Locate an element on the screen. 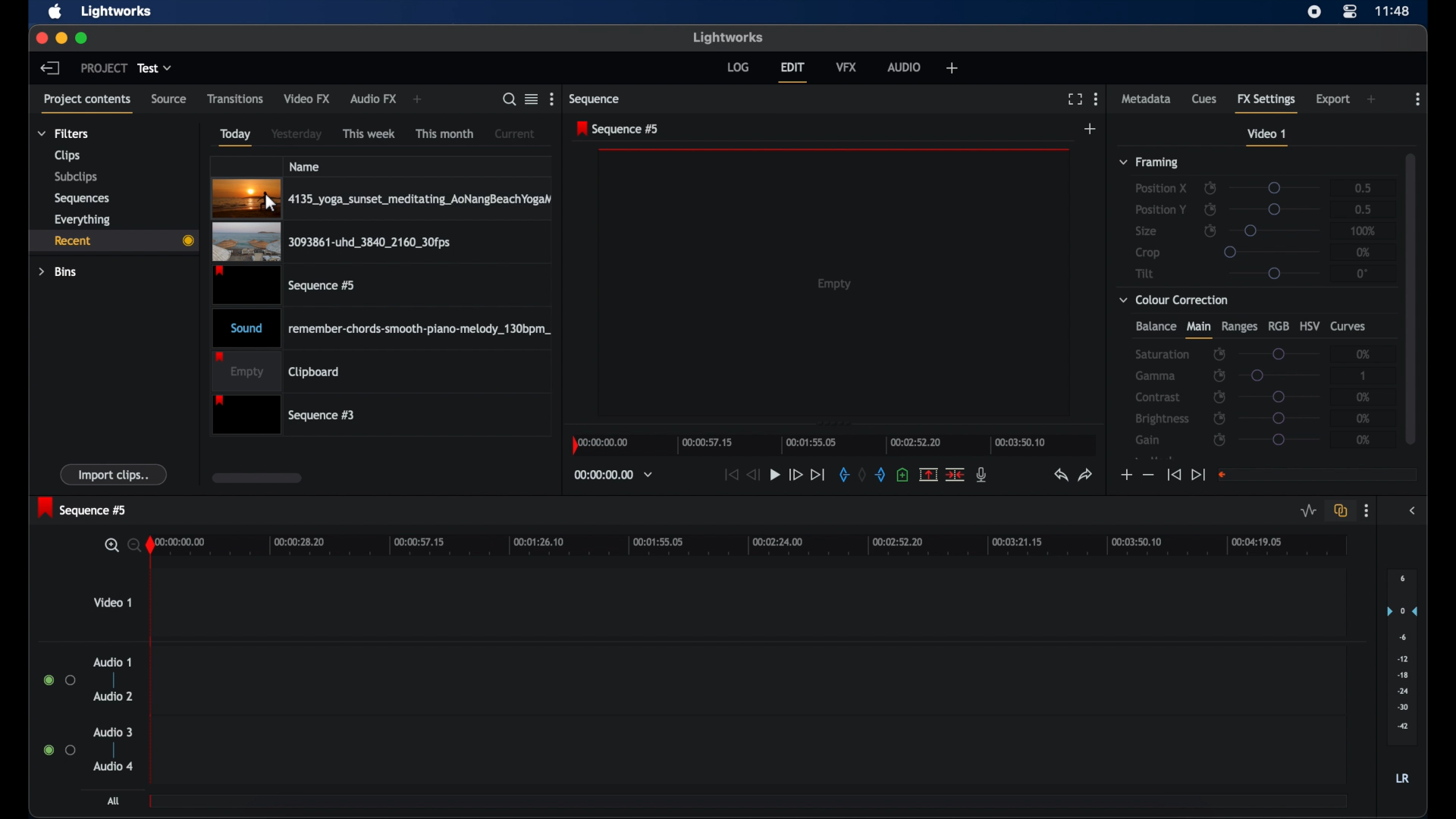 The height and width of the screenshot is (819, 1456). contrast is located at coordinates (1159, 398).